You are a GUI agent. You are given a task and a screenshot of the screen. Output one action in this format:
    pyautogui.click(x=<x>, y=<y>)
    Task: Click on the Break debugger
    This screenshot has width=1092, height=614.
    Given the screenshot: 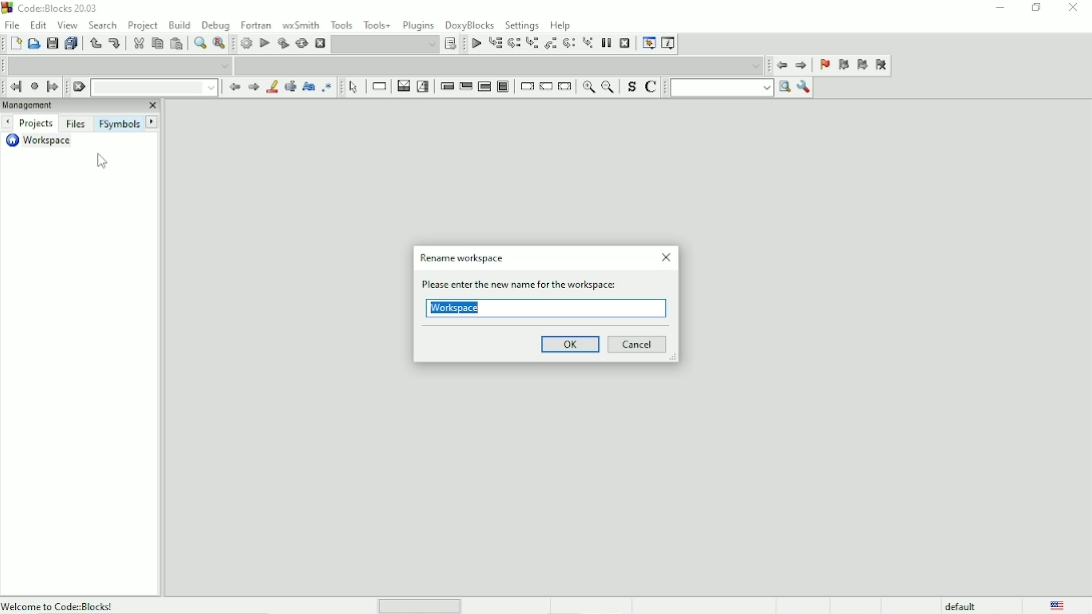 What is the action you would take?
    pyautogui.click(x=607, y=42)
    